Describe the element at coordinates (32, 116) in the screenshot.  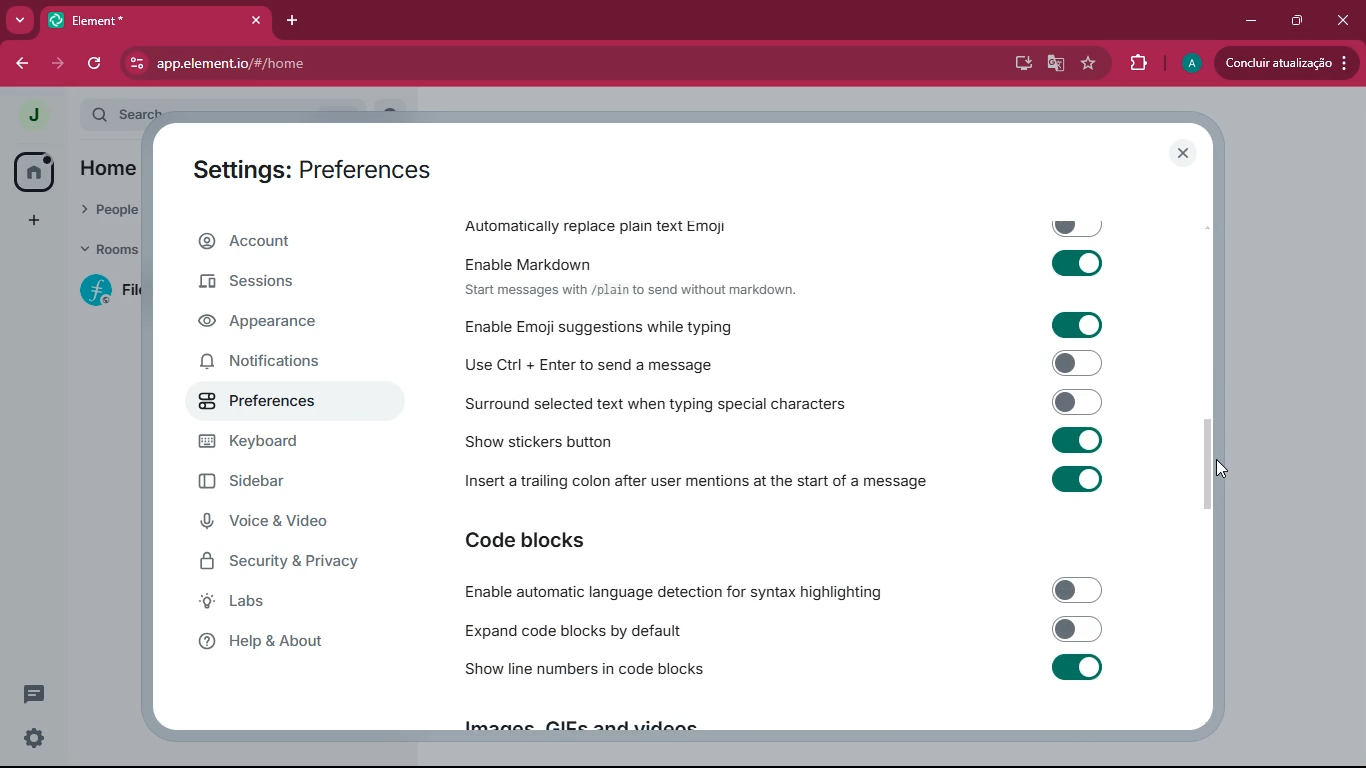
I see `profile picture` at that location.